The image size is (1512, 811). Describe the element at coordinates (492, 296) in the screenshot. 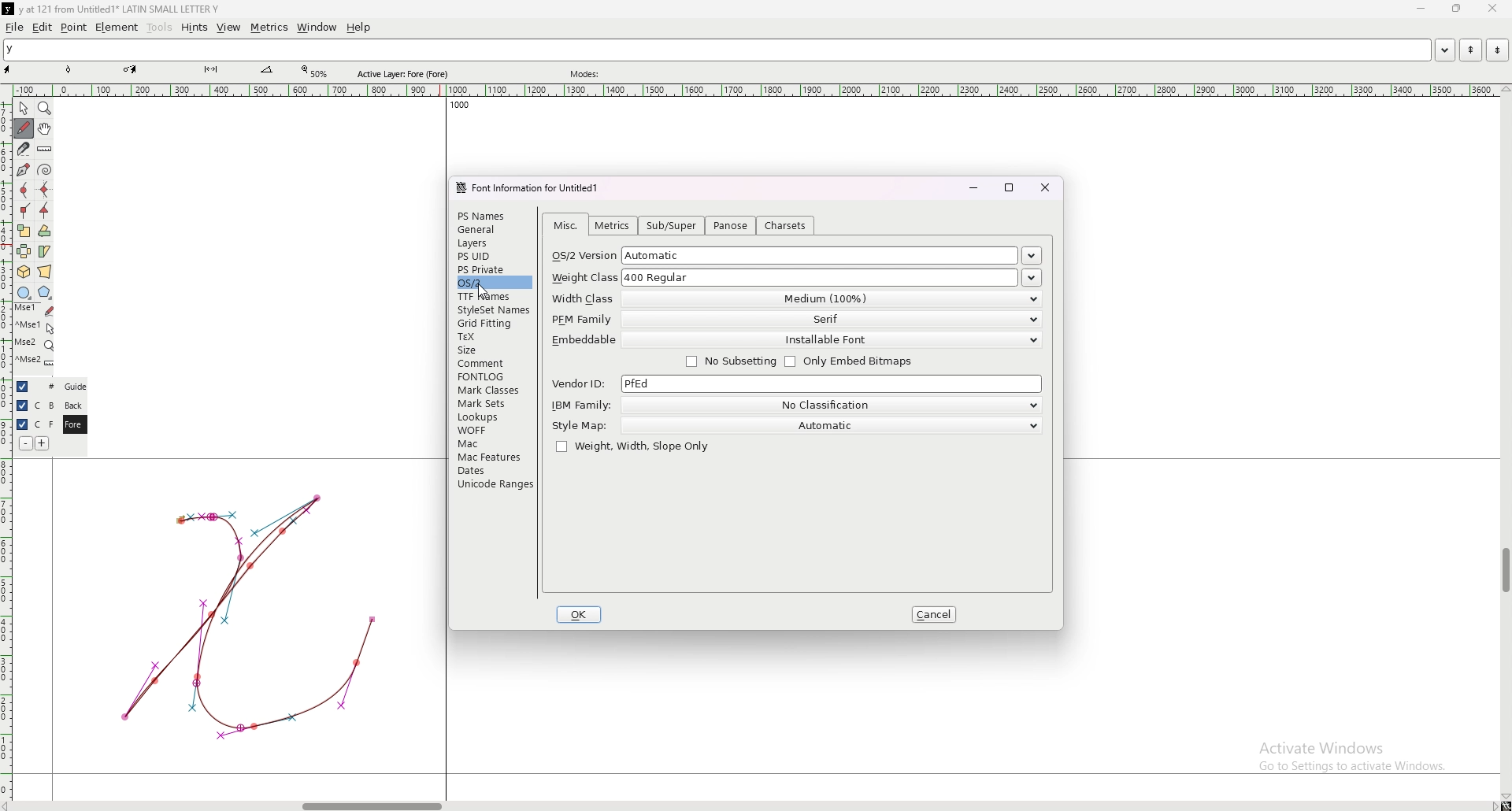

I see `ttf frames` at that location.